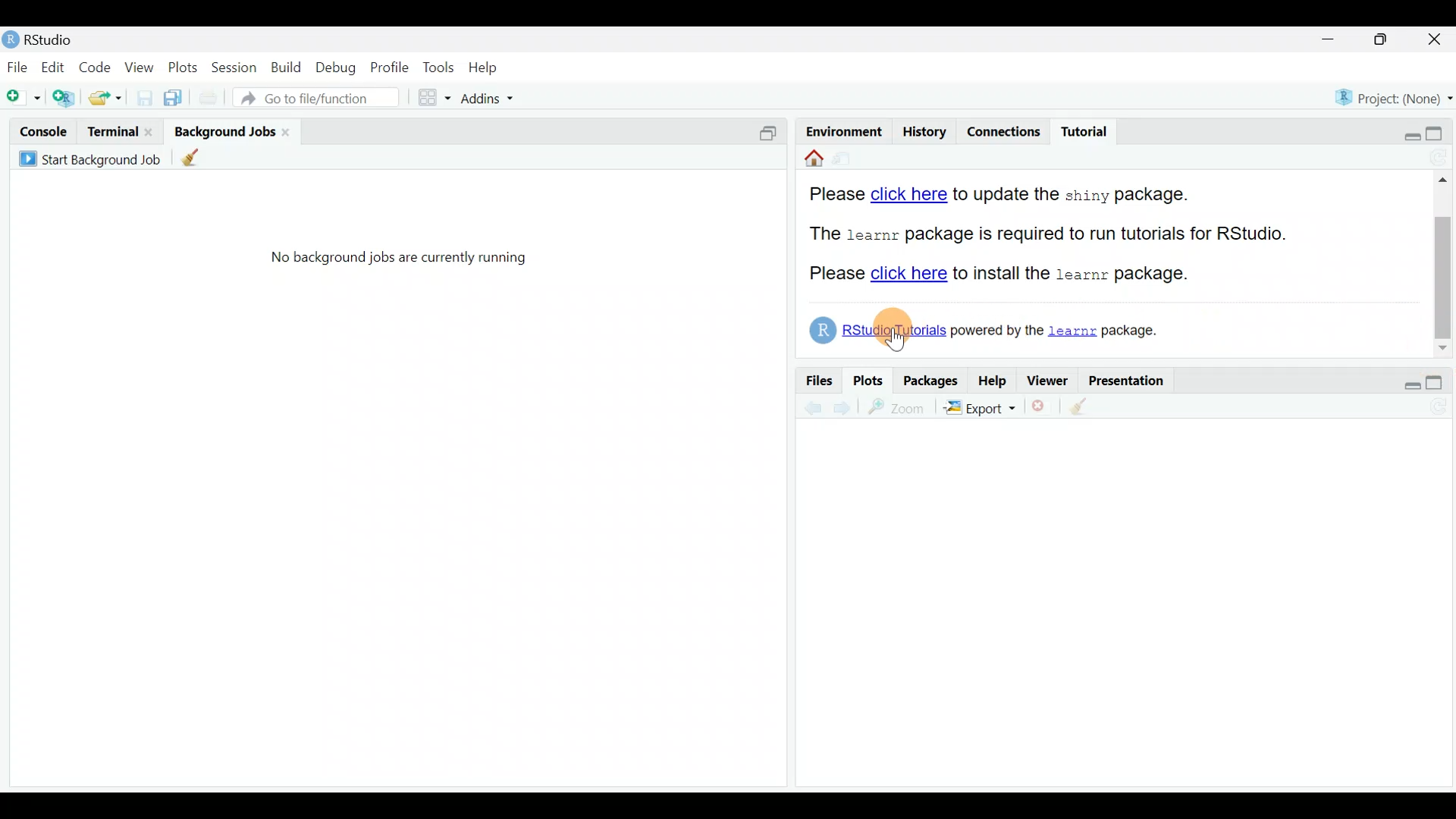  Describe the element at coordinates (235, 71) in the screenshot. I see `Session` at that location.